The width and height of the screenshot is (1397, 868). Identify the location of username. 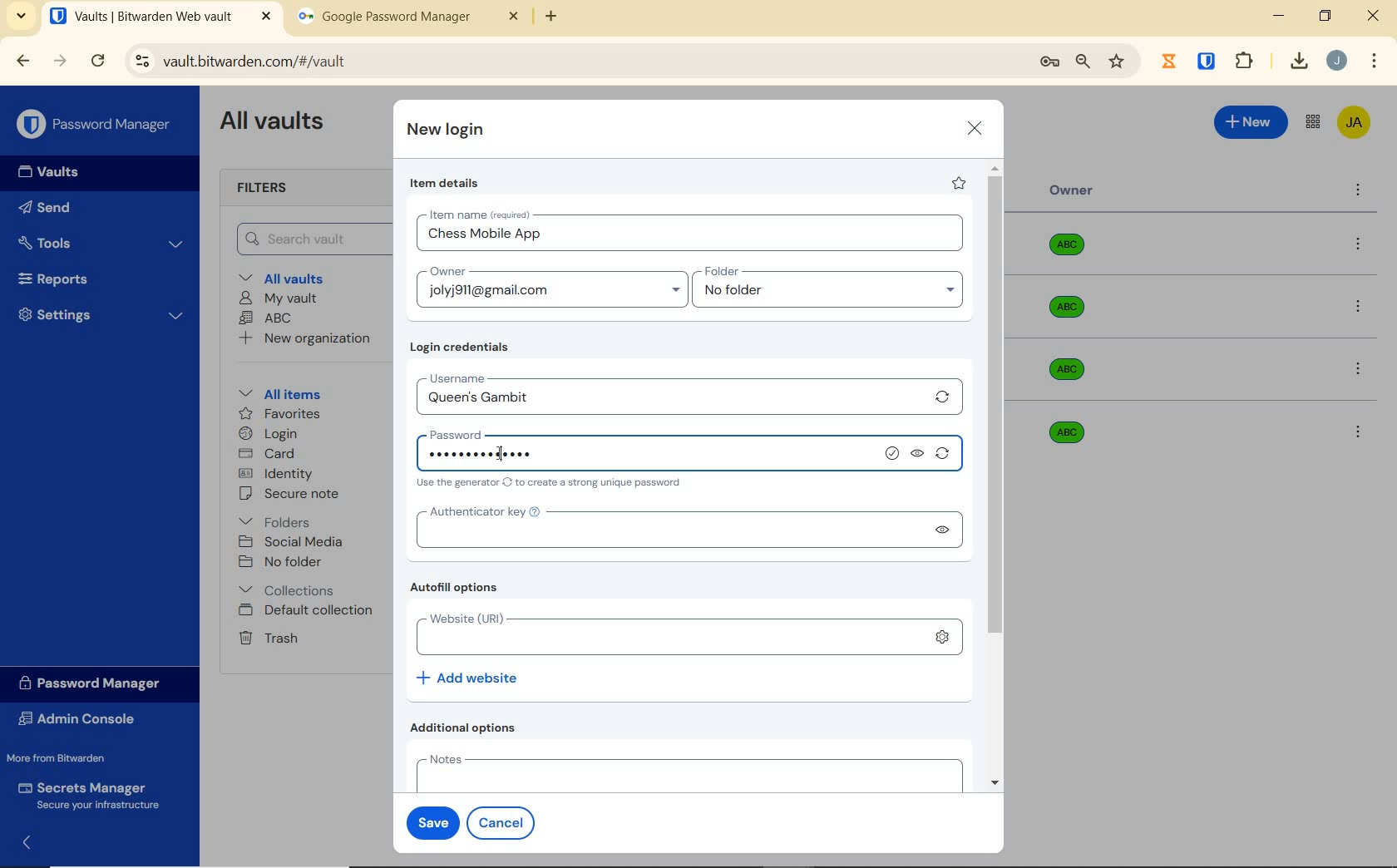
(504, 376).